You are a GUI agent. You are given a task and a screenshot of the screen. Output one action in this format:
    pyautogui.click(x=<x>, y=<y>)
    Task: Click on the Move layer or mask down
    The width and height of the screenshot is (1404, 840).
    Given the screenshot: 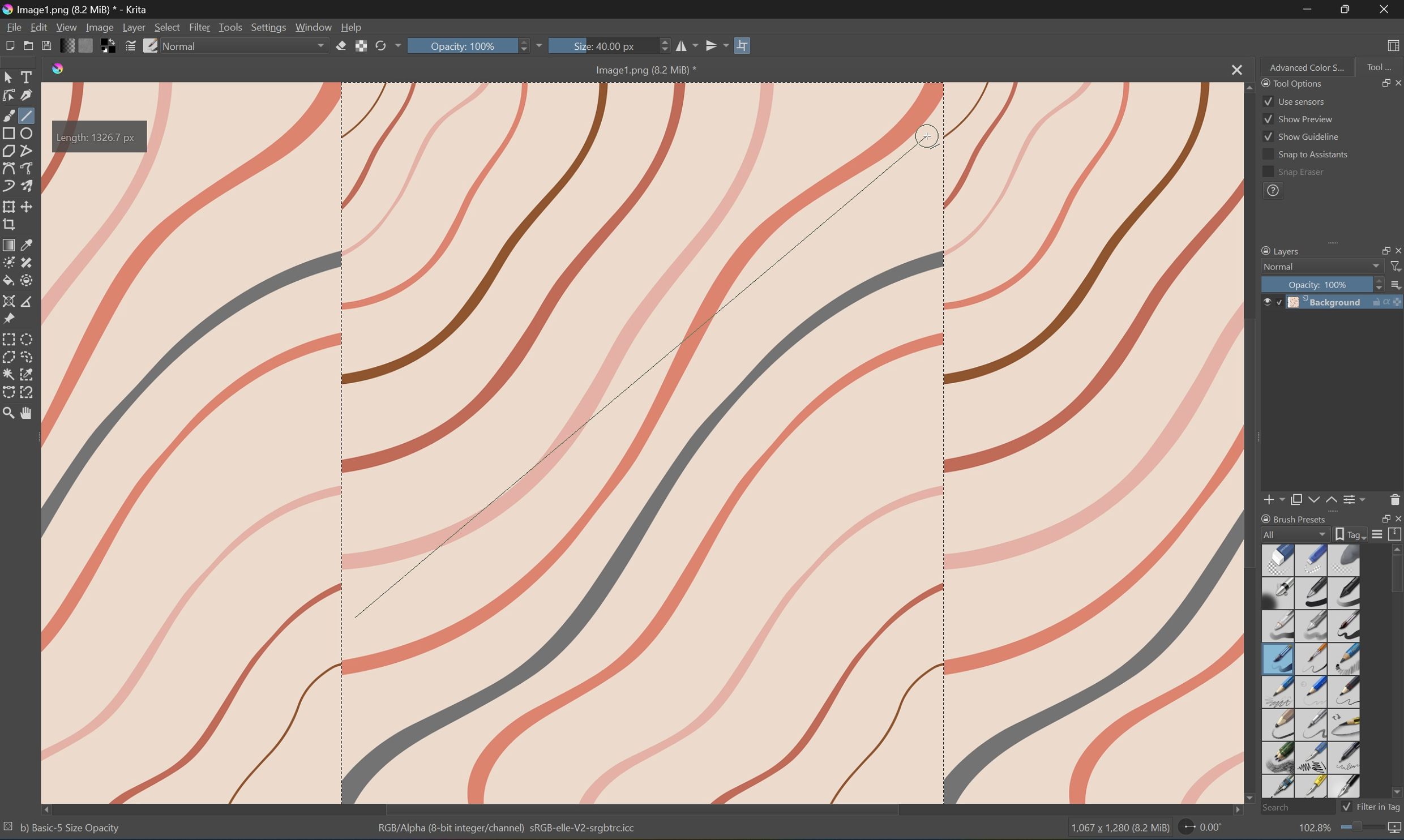 What is the action you would take?
    pyautogui.click(x=1312, y=499)
    